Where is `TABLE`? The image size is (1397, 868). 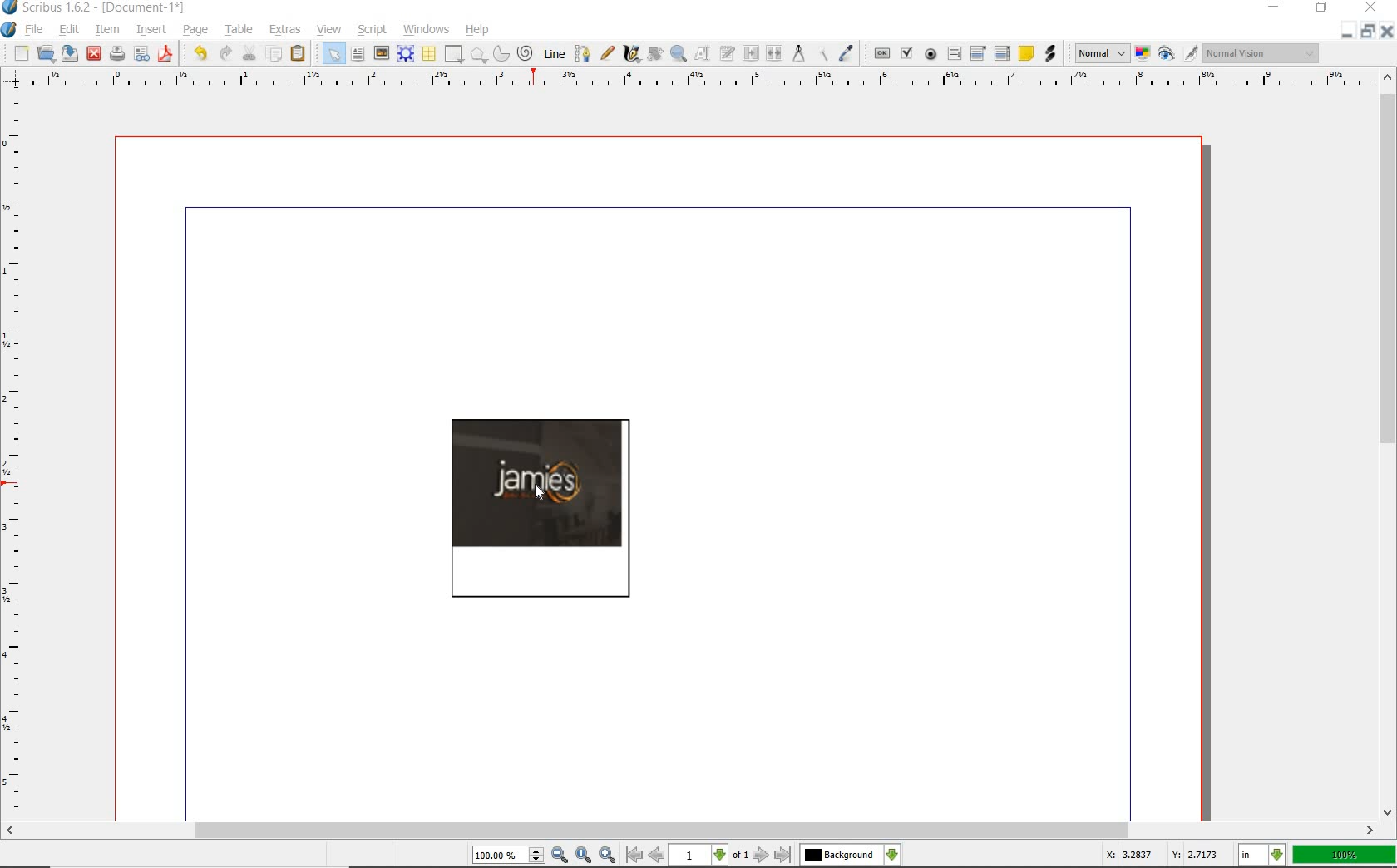
TABLE is located at coordinates (428, 54).